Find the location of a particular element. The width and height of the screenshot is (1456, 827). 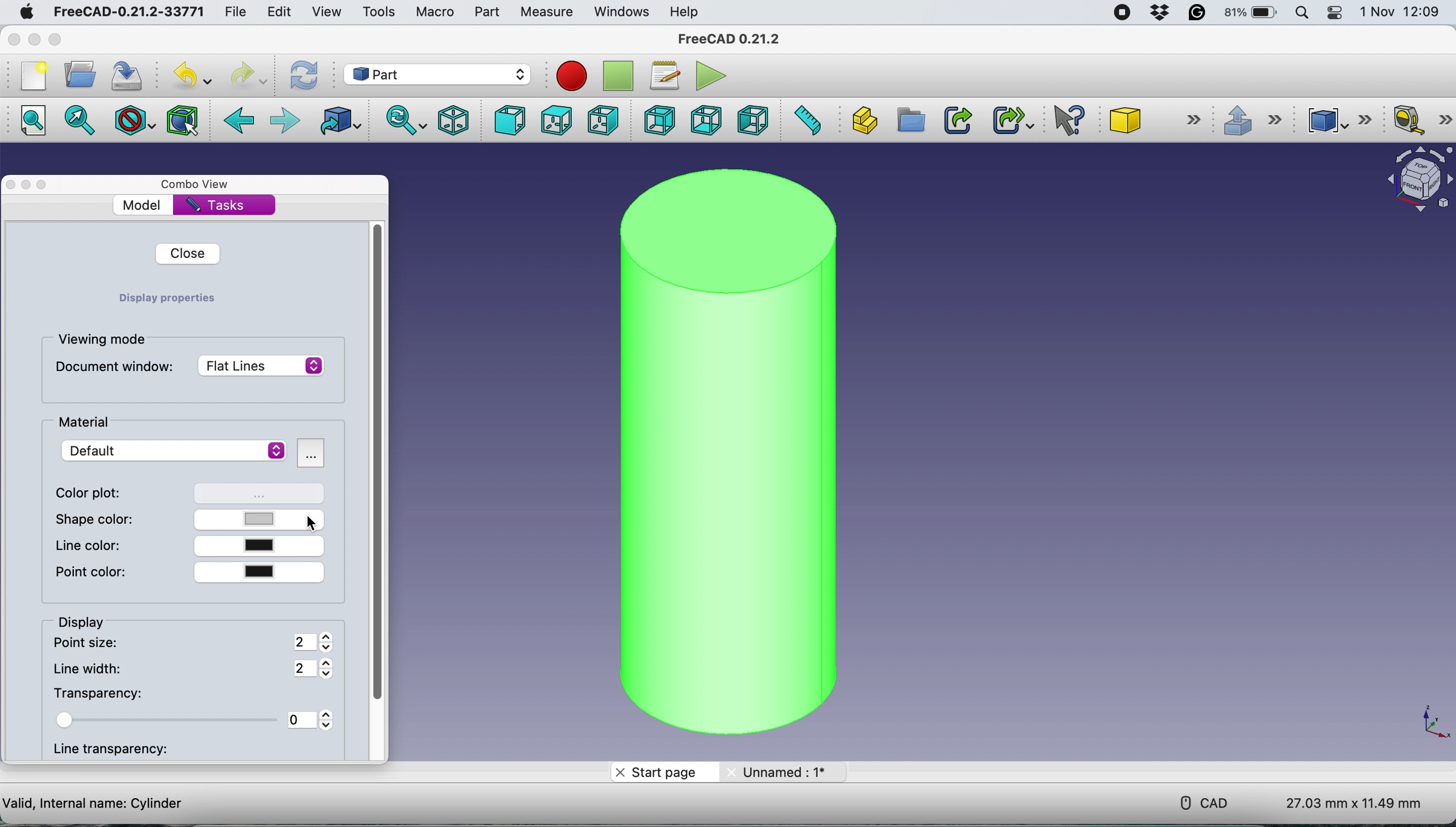

default is located at coordinates (176, 451).